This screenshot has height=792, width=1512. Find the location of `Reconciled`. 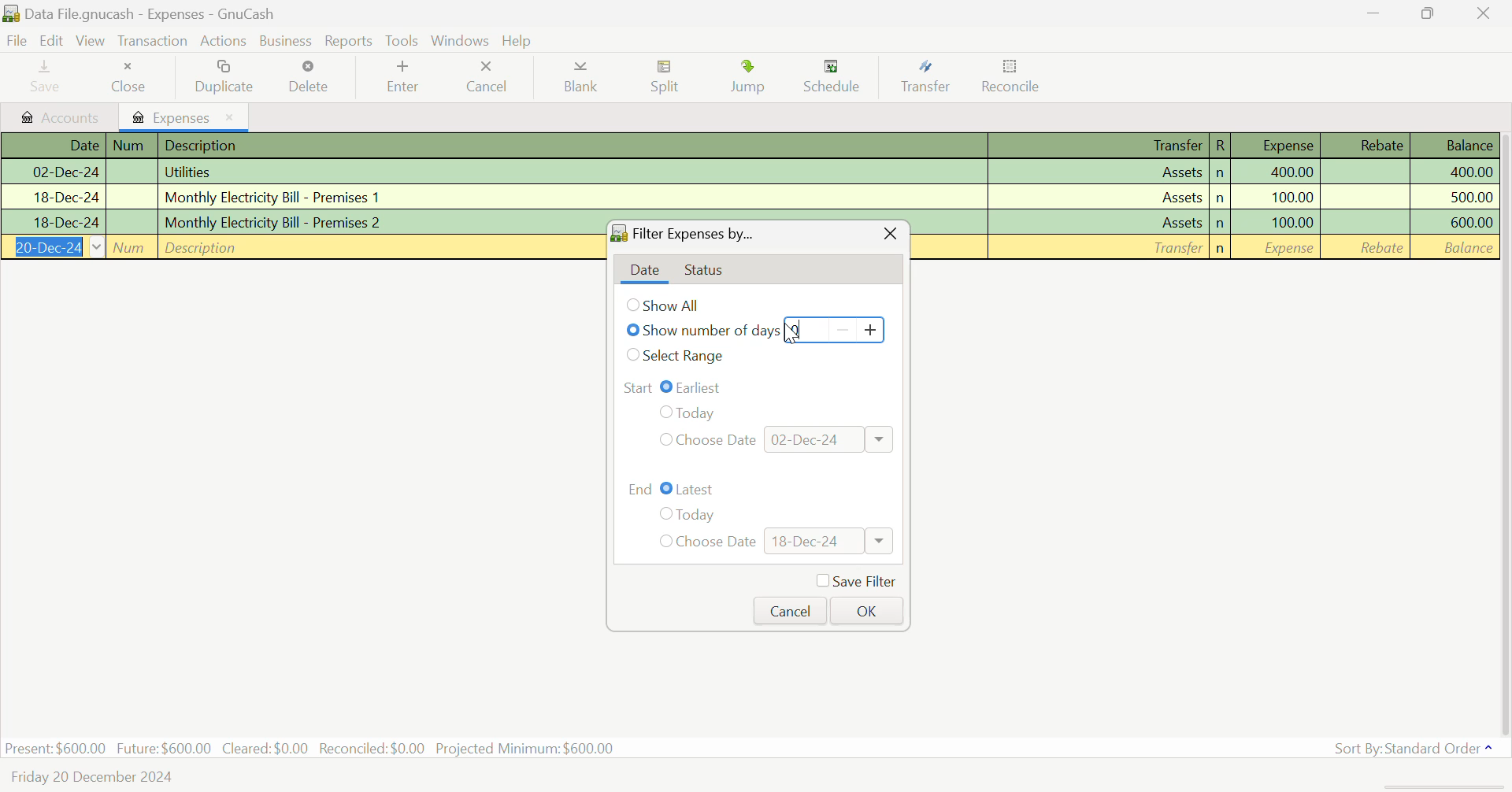

Reconciled is located at coordinates (372, 749).